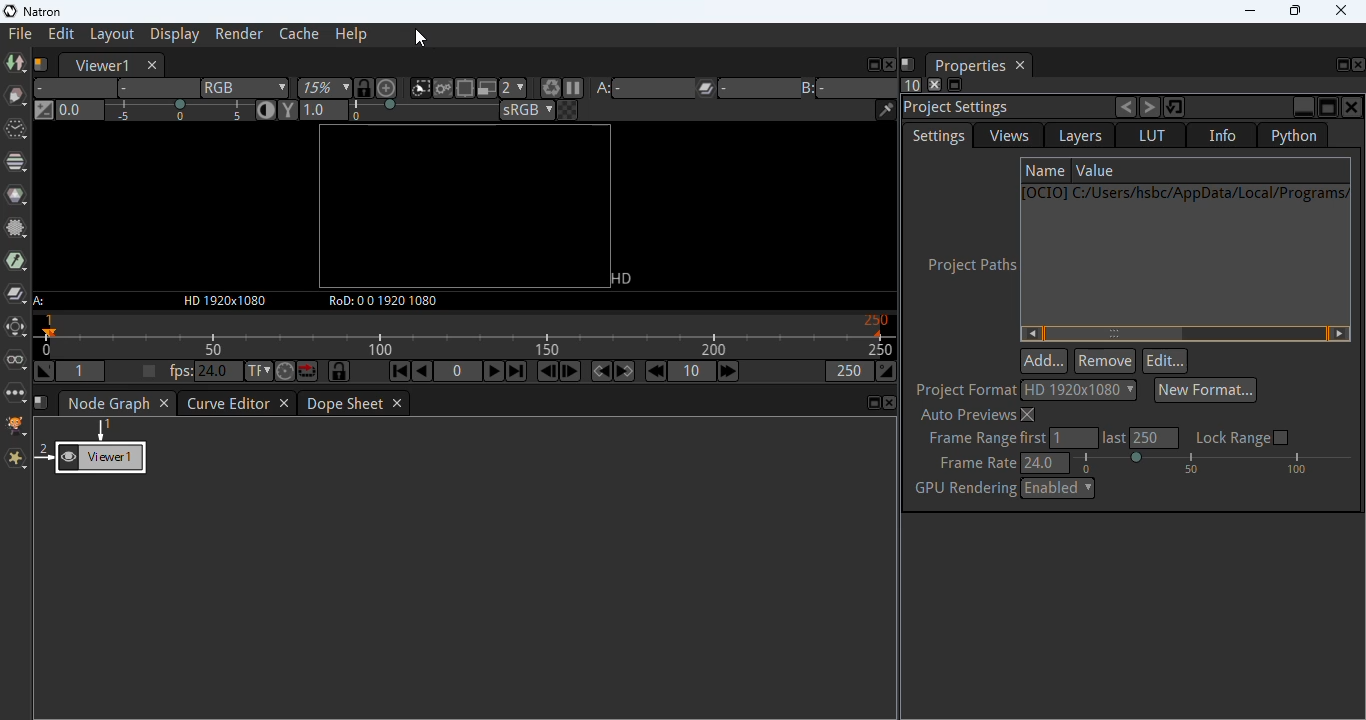 The height and width of the screenshot is (720, 1366). I want to click on frame range first 1 last 250, so click(985, 438).